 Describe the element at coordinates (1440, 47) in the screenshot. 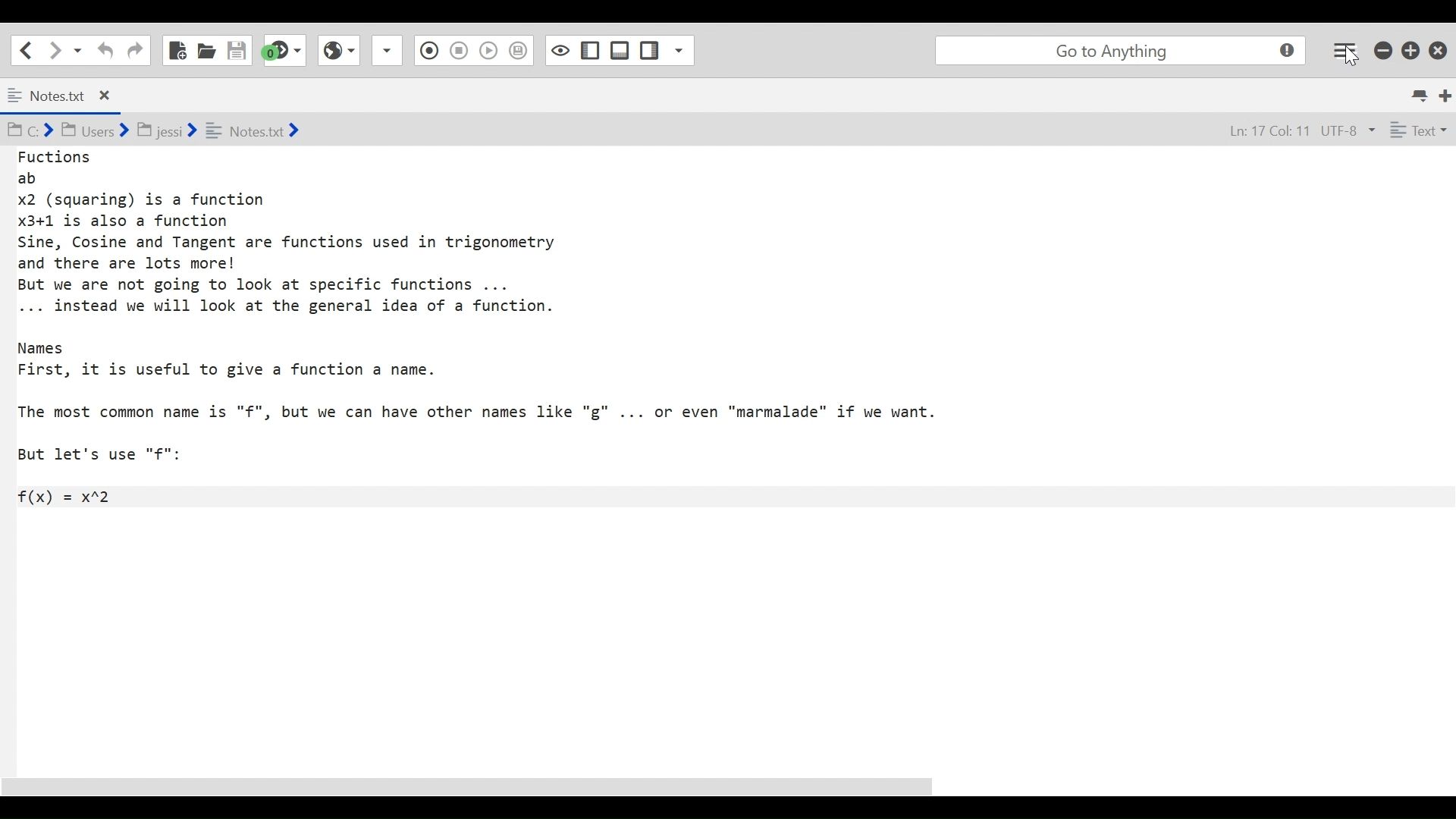

I see `Close` at that location.